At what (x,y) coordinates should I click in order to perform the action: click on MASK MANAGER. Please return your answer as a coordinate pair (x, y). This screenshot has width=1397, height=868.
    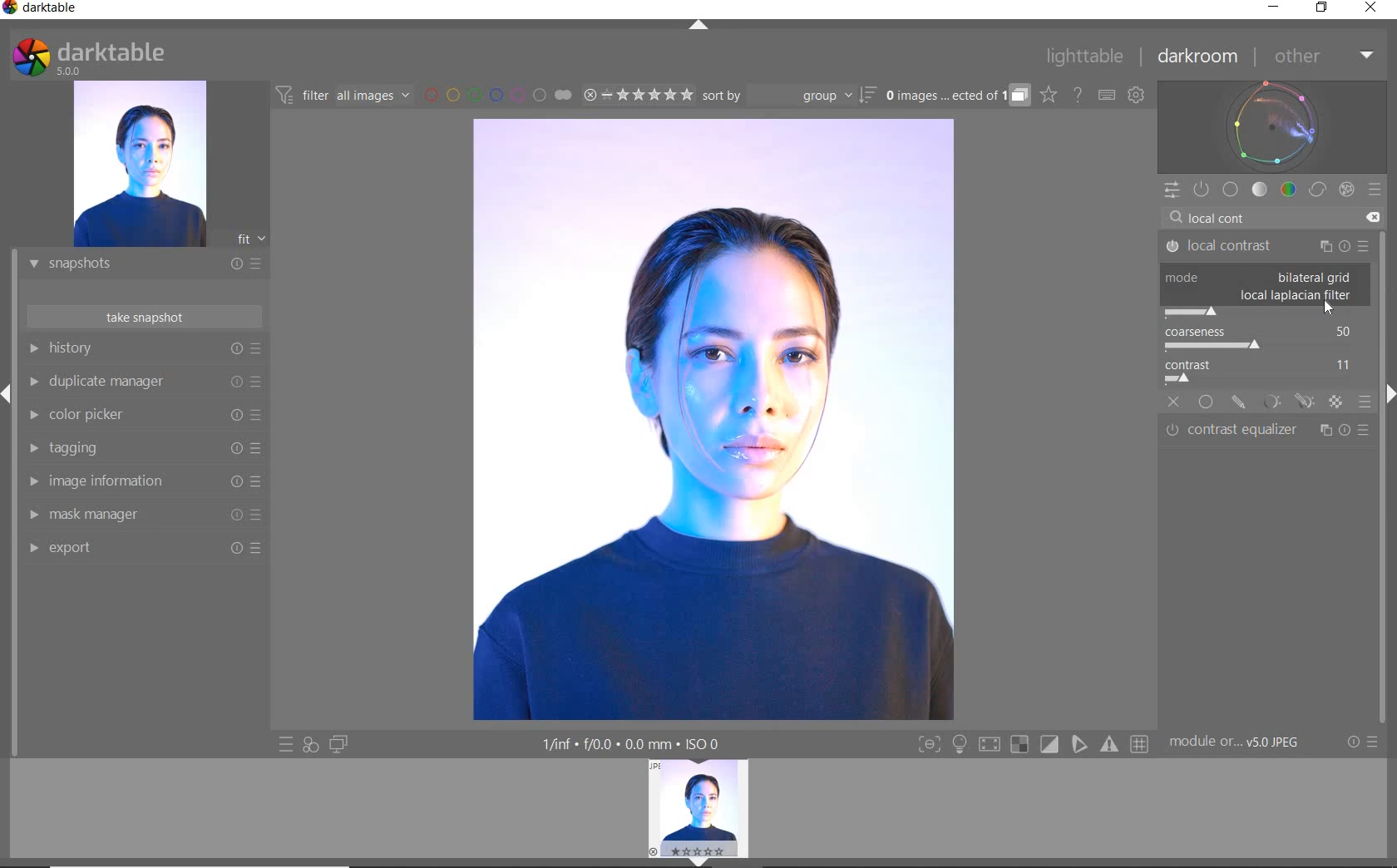
    Looking at the image, I should click on (137, 515).